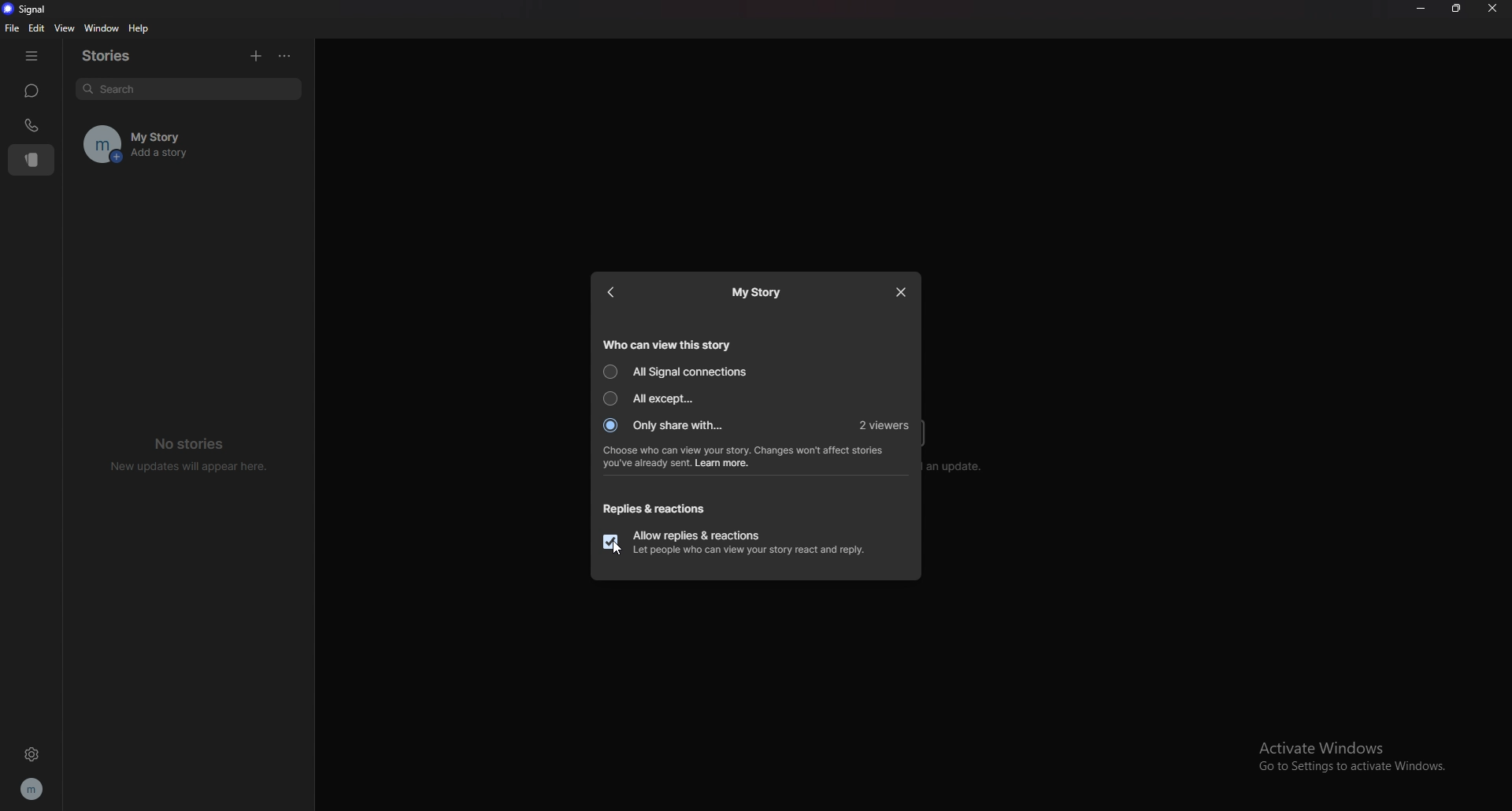 The image size is (1512, 811). What do you see at coordinates (195, 443) in the screenshot?
I see `No stories` at bounding box center [195, 443].